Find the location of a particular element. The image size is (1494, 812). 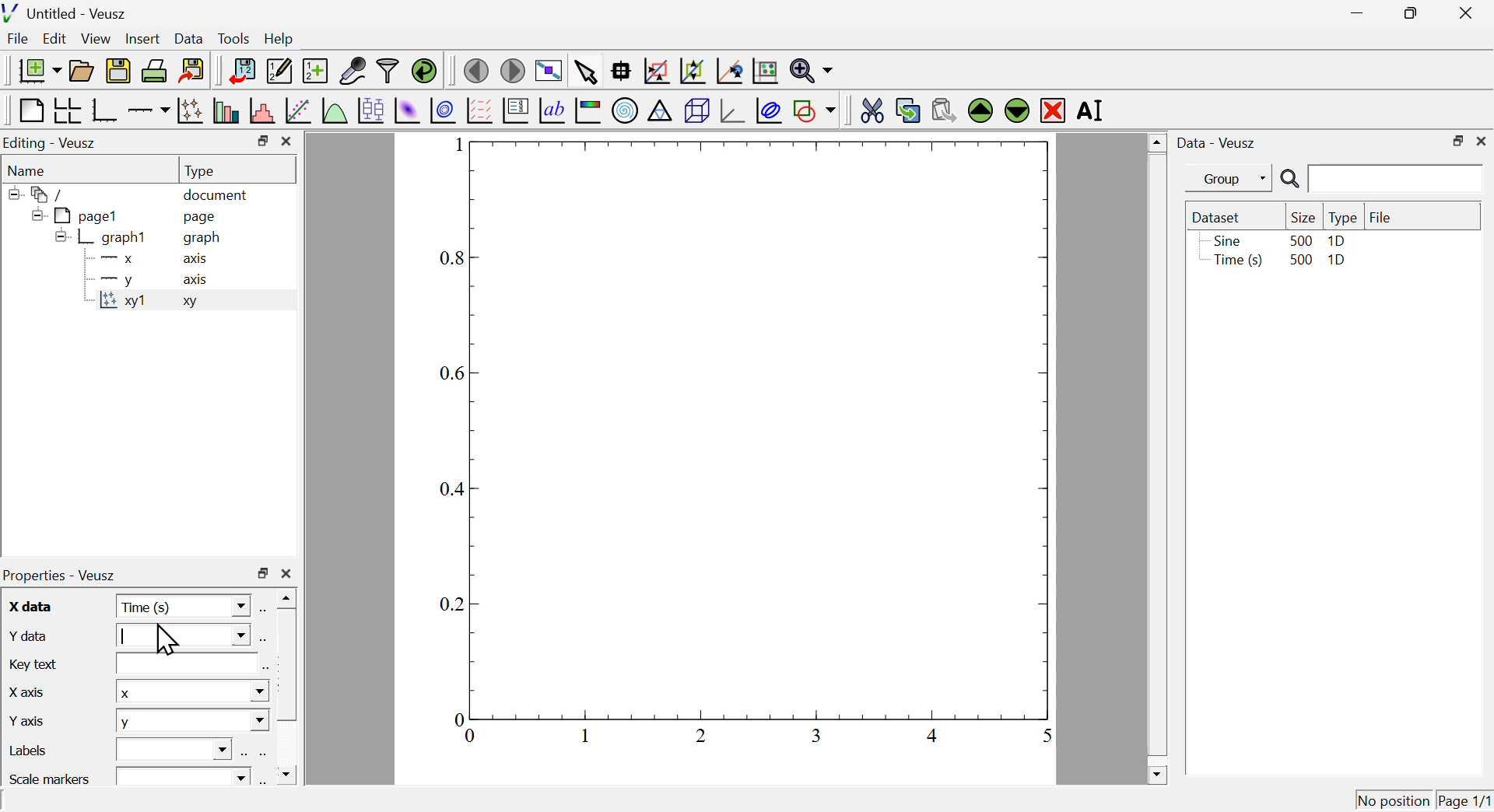

paste widget from the clipboard is located at coordinates (945, 108).